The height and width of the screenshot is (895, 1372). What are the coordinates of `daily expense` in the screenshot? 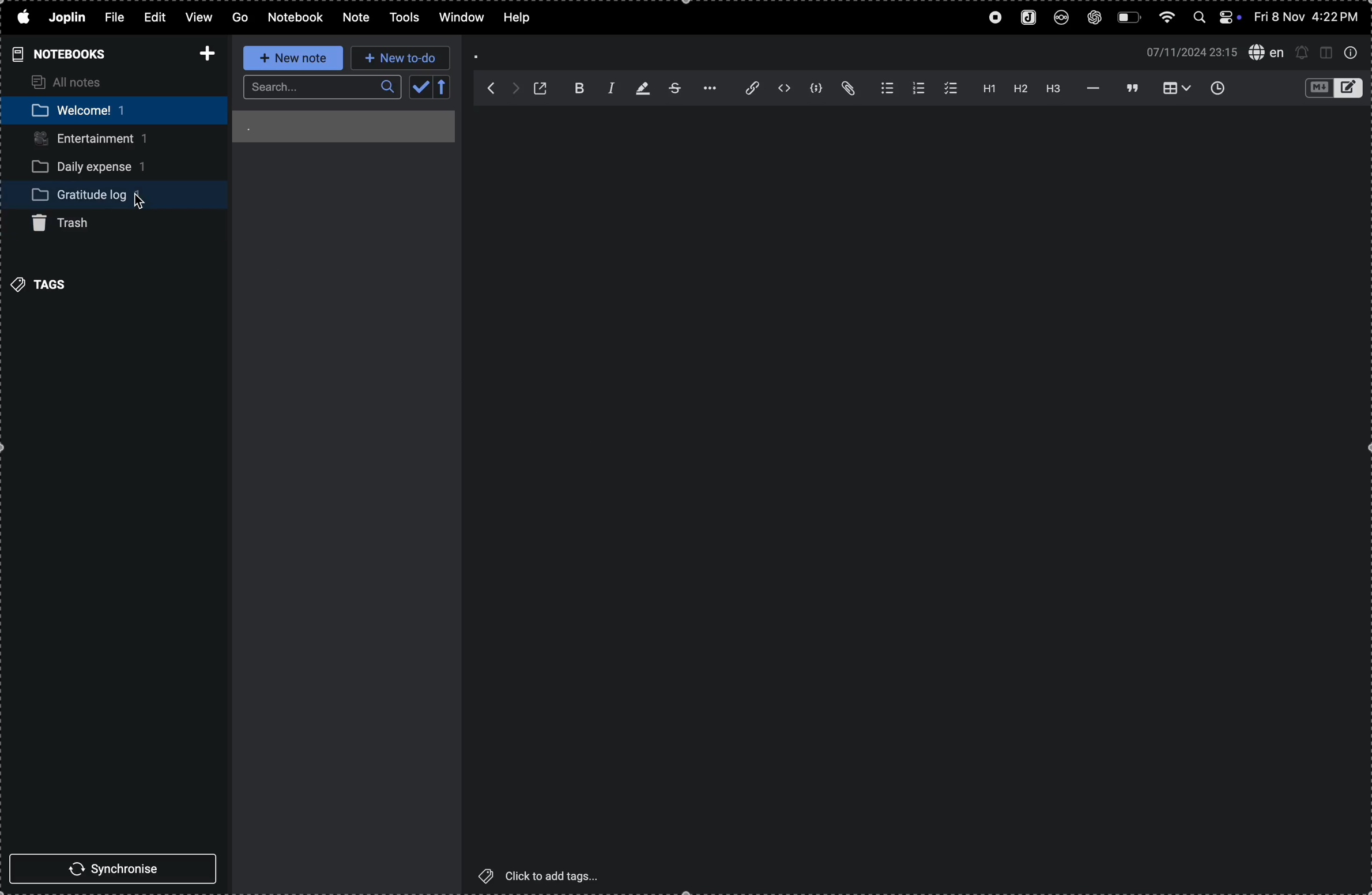 It's located at (99, 167).